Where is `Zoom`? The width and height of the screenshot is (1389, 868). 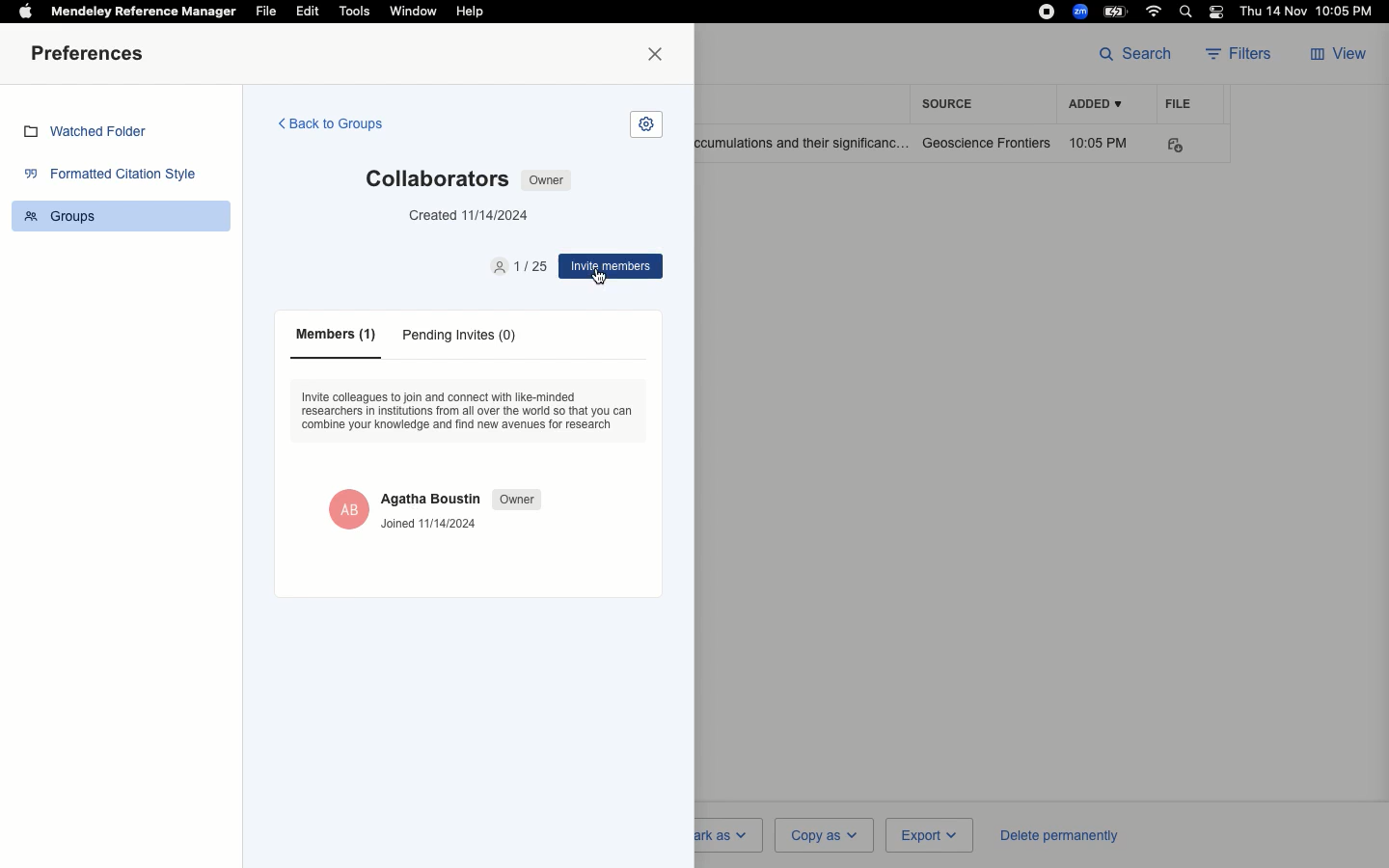
Zoom is located at coordinates (1081, 12).